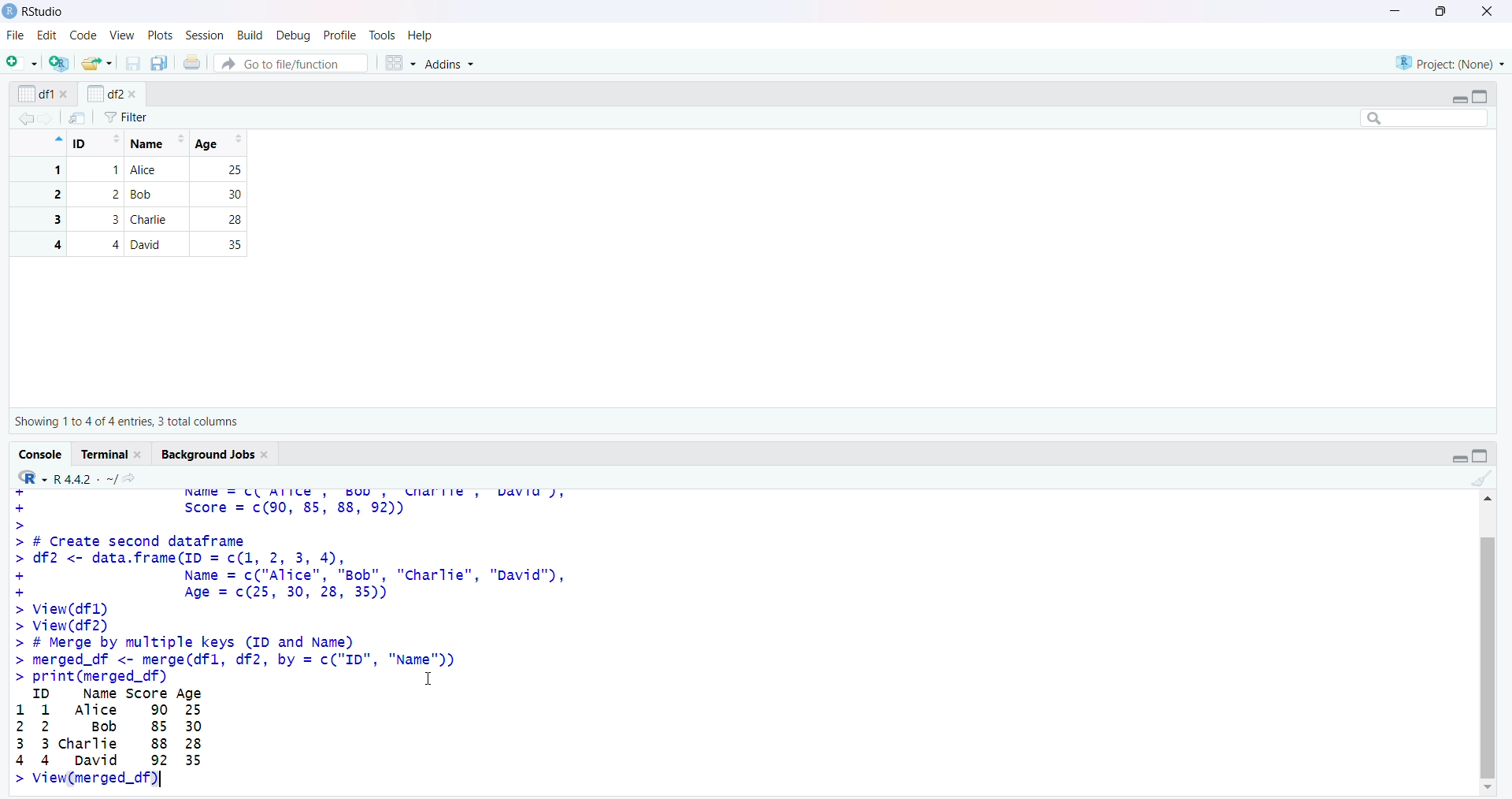 The height and width of the screenshot is (799, 1512). What do you see at coordinates (156, 143) in the screenshot?
I see `Name` at bounding box center [156, 143].